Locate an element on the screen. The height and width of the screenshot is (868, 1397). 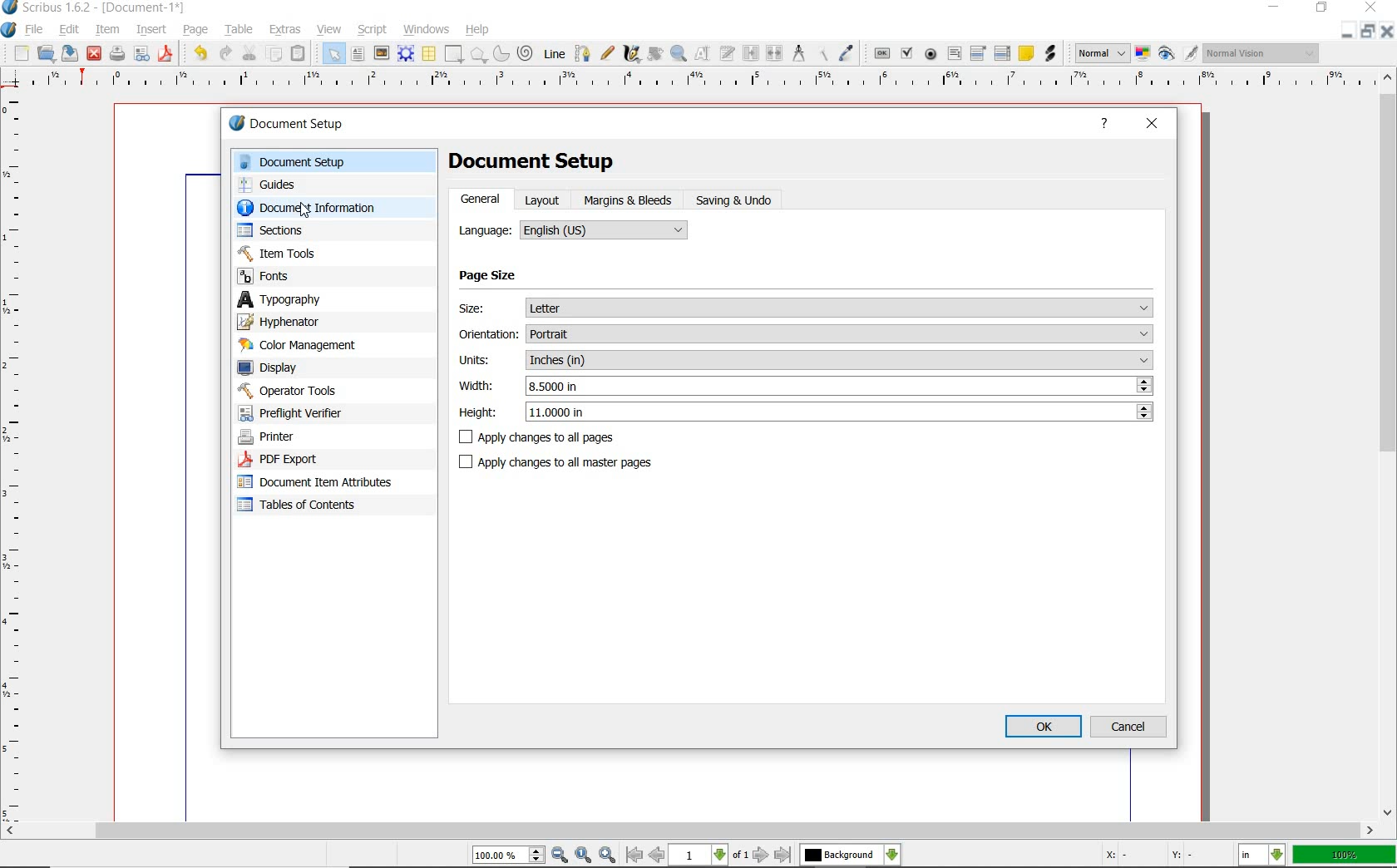
document setup is located at coordinates (288, 123).